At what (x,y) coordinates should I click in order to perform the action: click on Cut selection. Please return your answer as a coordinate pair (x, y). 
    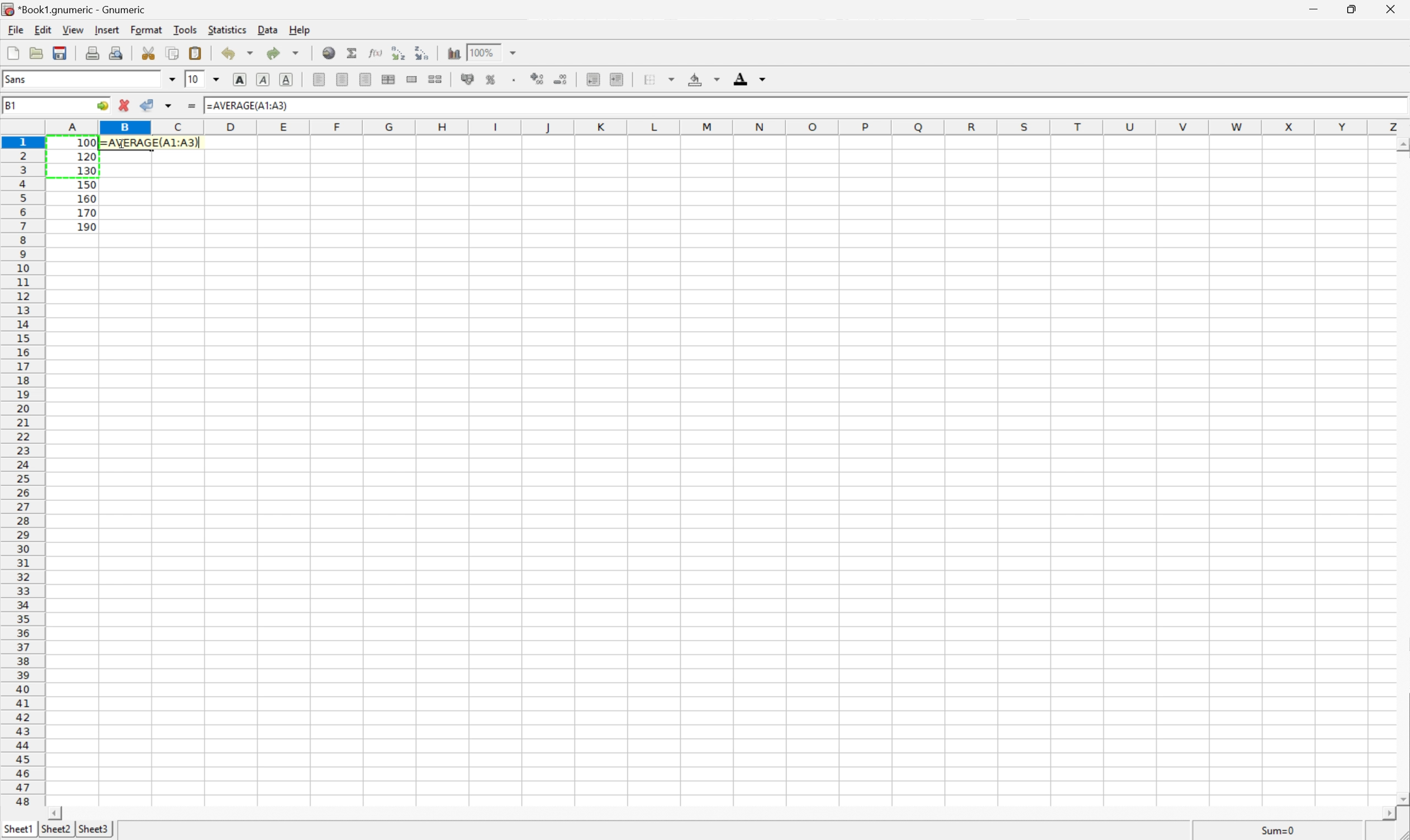
    Looking at the image, I should click on (148, 53).